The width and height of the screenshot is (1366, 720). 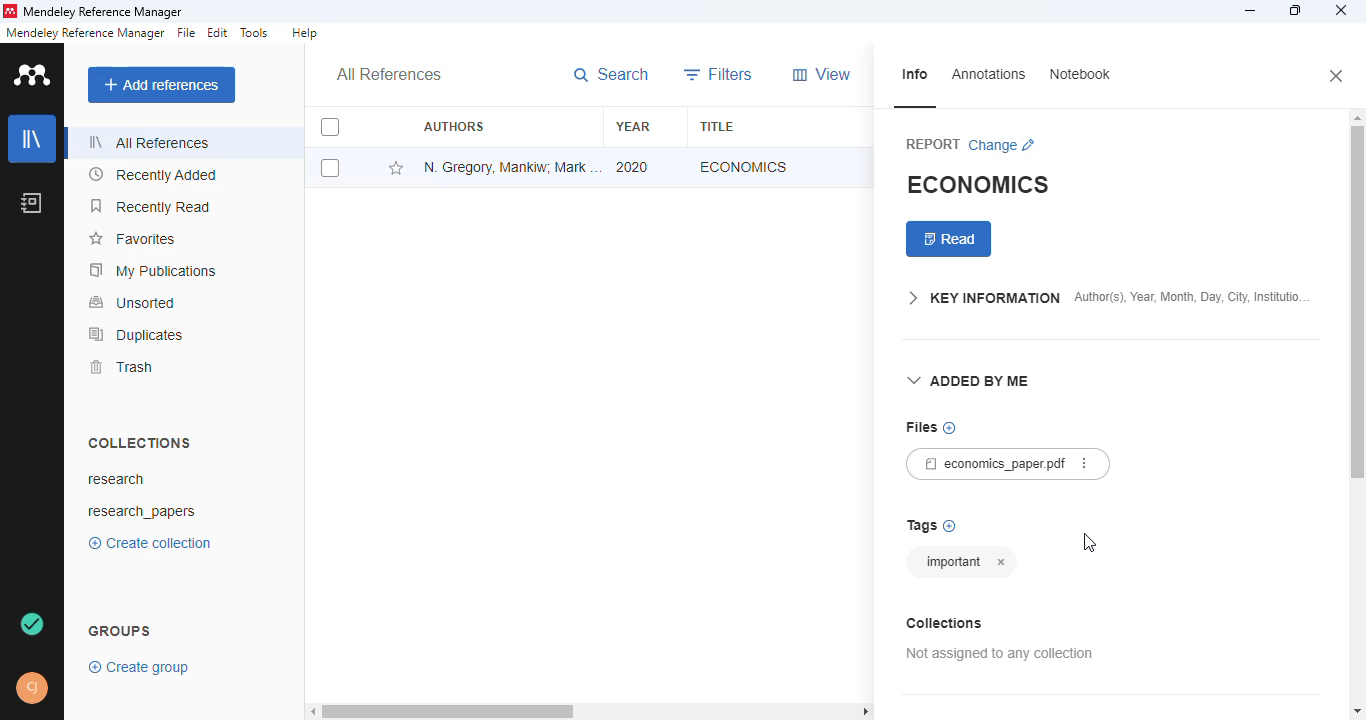 I want to click on change, so click(x=1002, y=146).